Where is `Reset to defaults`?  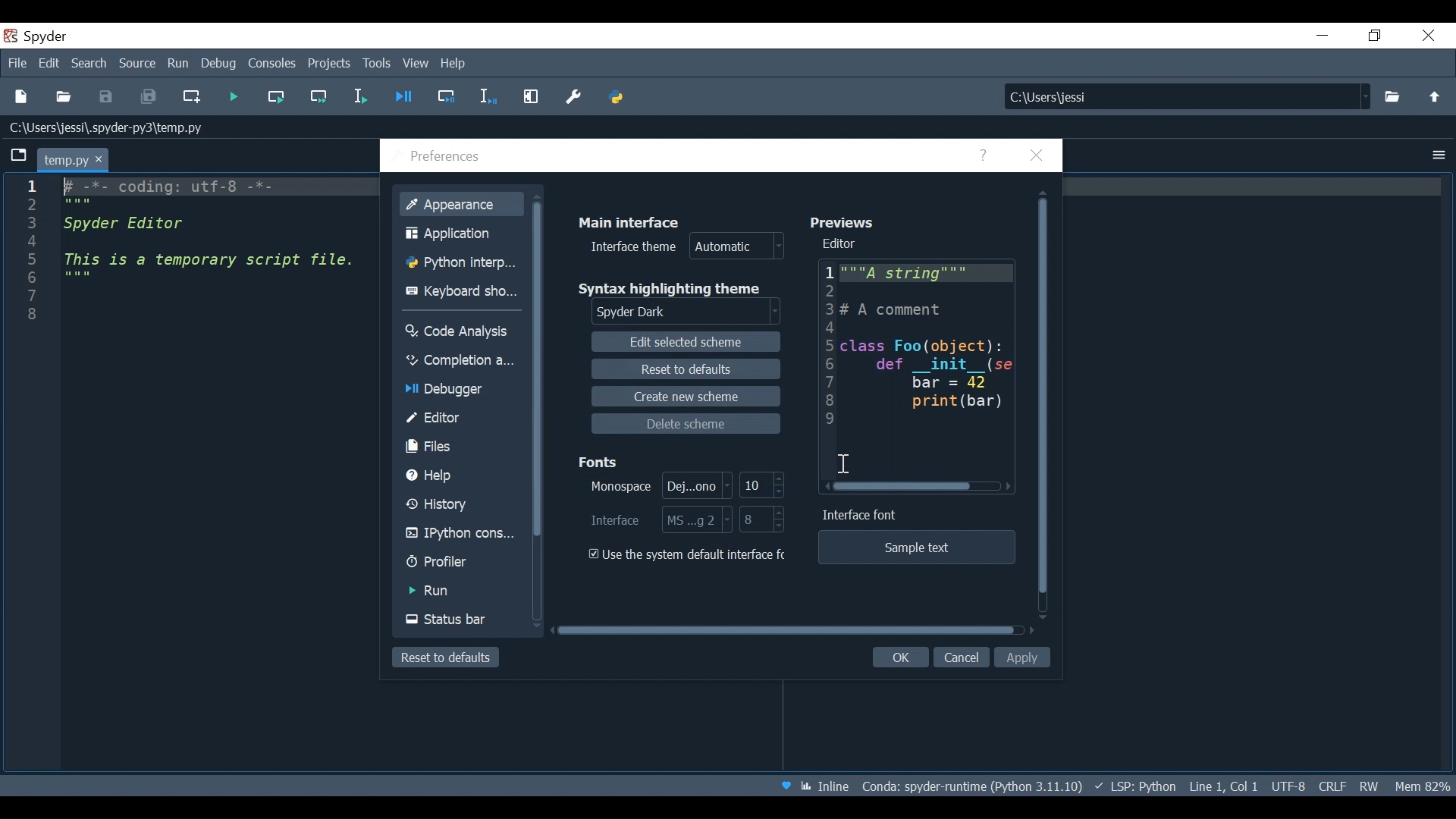 Reset to defaults is located at coordinates (683, 369).